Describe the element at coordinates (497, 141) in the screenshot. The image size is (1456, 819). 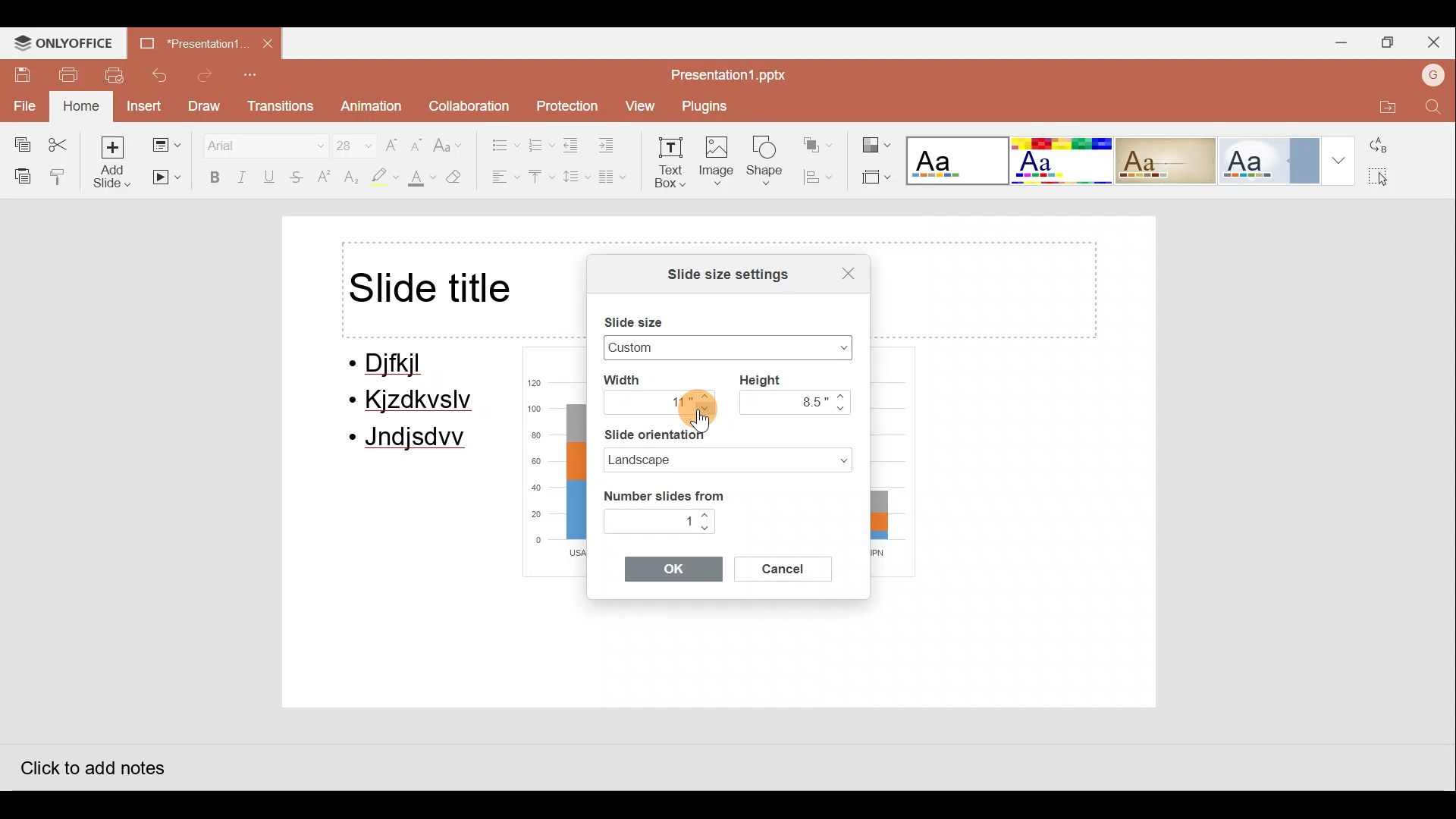
I see `Bullets` at that location.